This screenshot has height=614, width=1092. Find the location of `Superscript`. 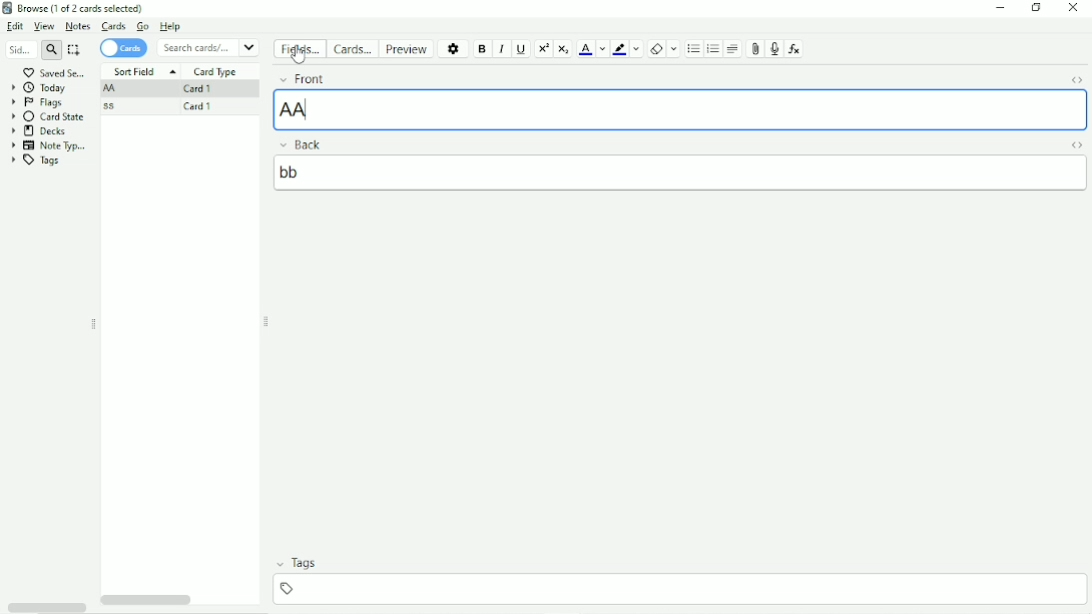

Superscript is located at coordinates (542, 50).